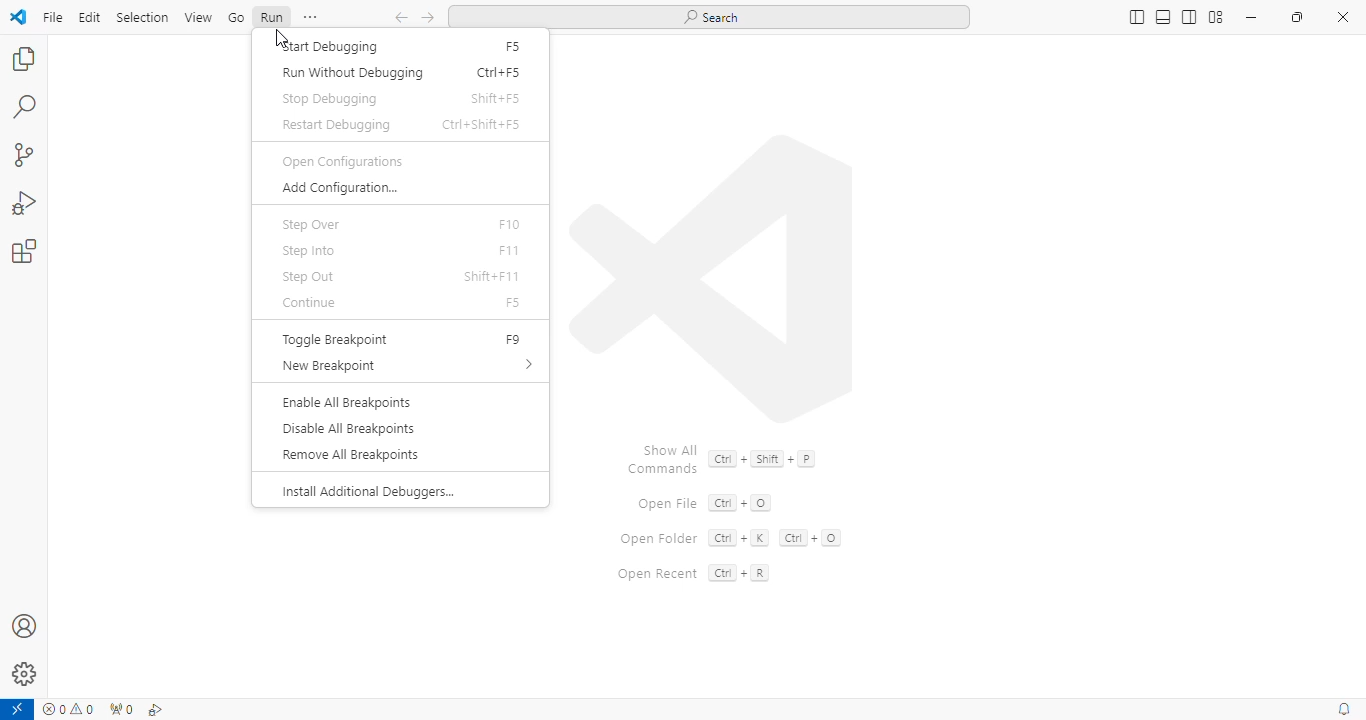 The width and height of the screenshot is (1366, 720). I want to click on open recent, so click(657, 574).